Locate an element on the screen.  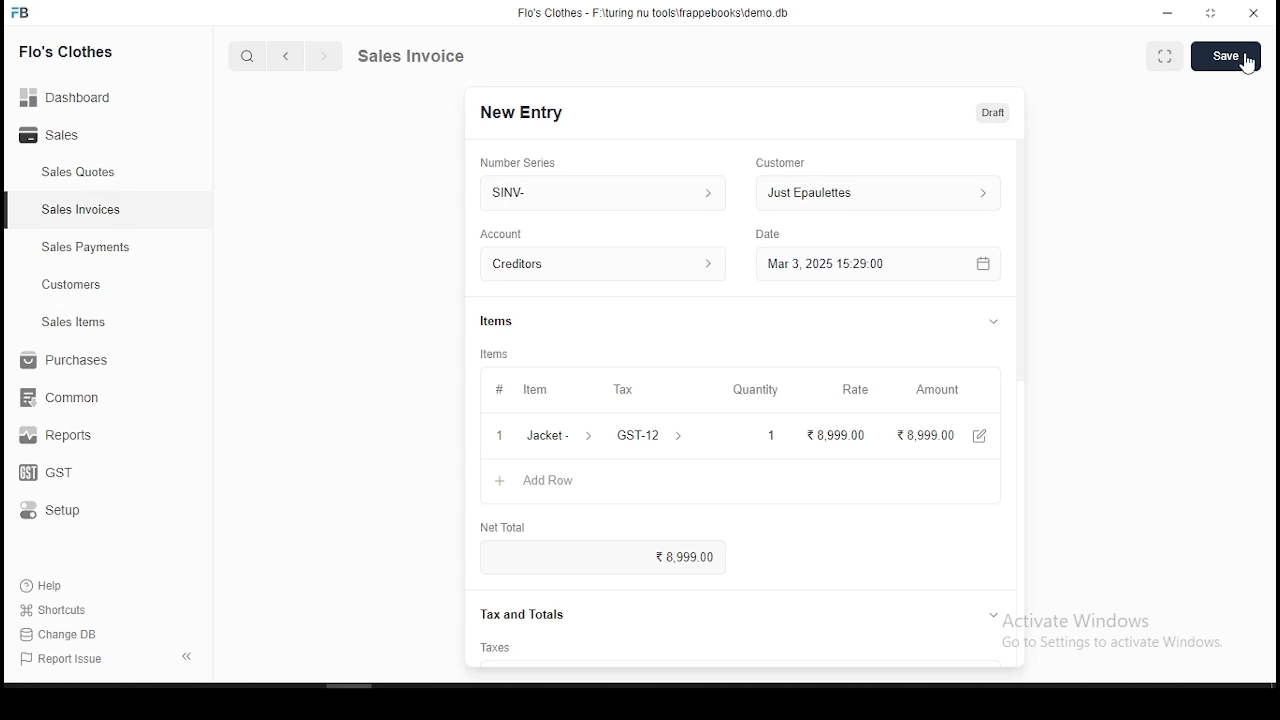
edit is located at coordinates (988, 435).